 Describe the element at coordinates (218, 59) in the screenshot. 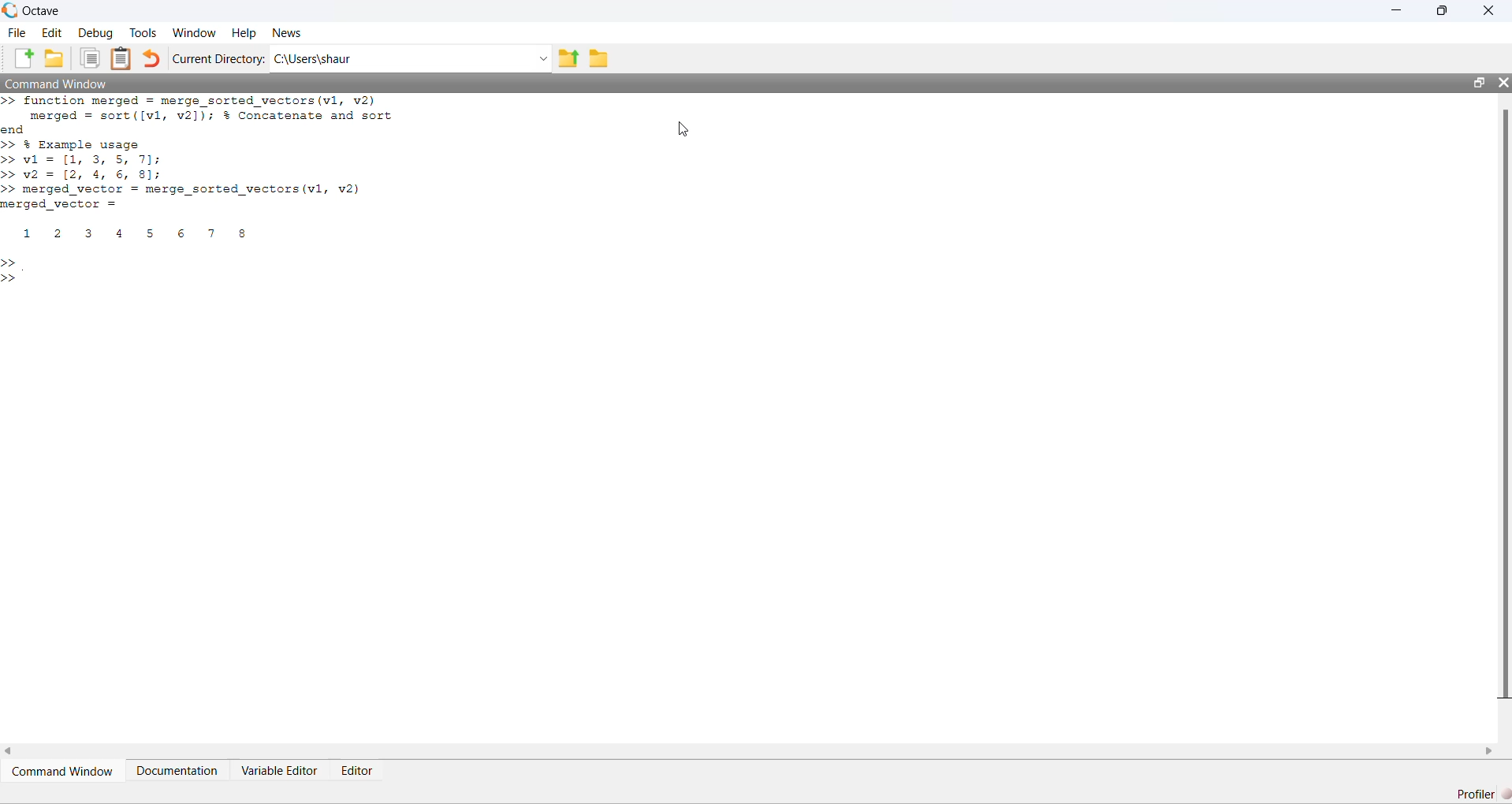

I see `Current Directory:` at that location.